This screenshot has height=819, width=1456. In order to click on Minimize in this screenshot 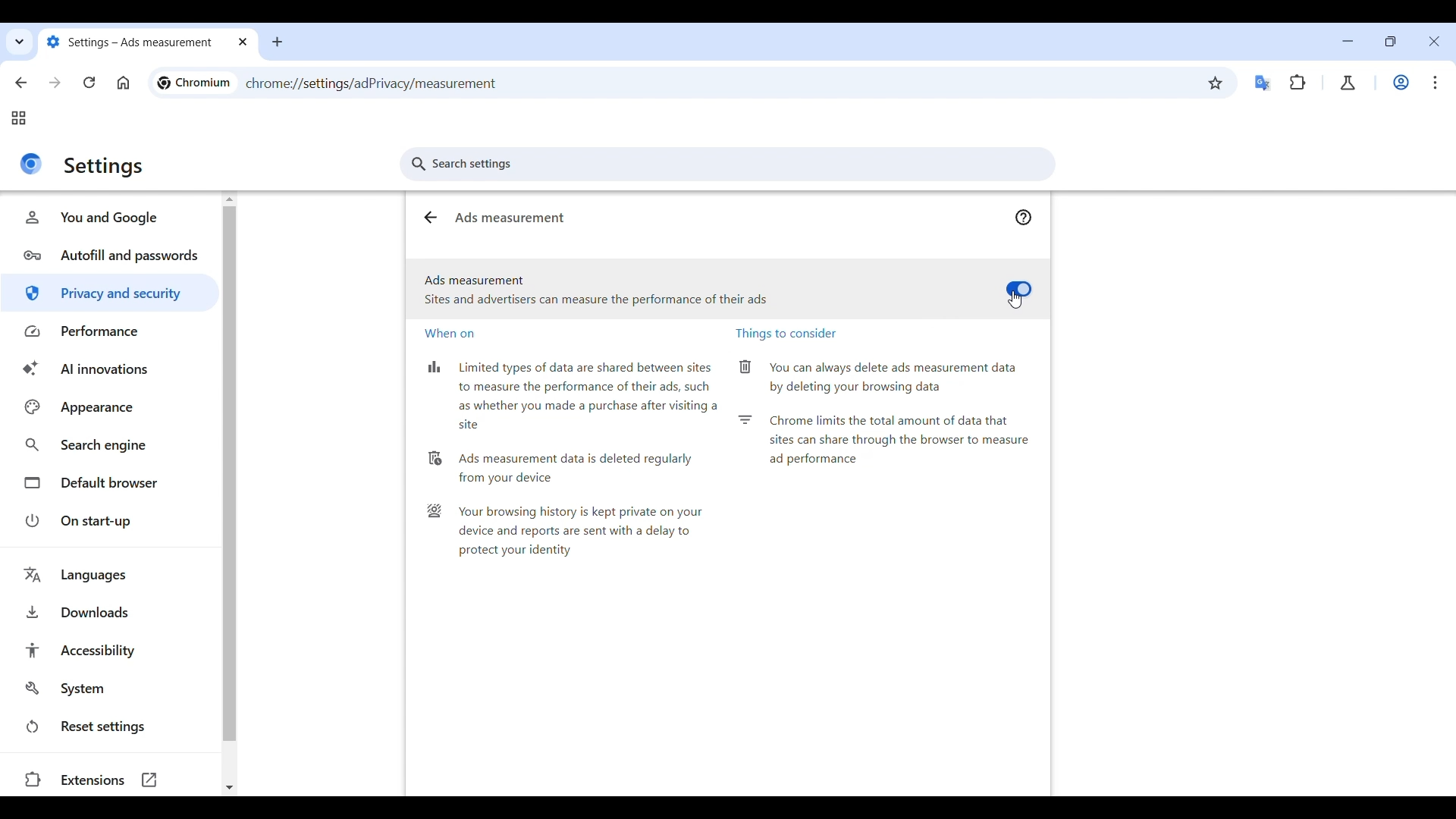, I will do `click(1348, 41)`.